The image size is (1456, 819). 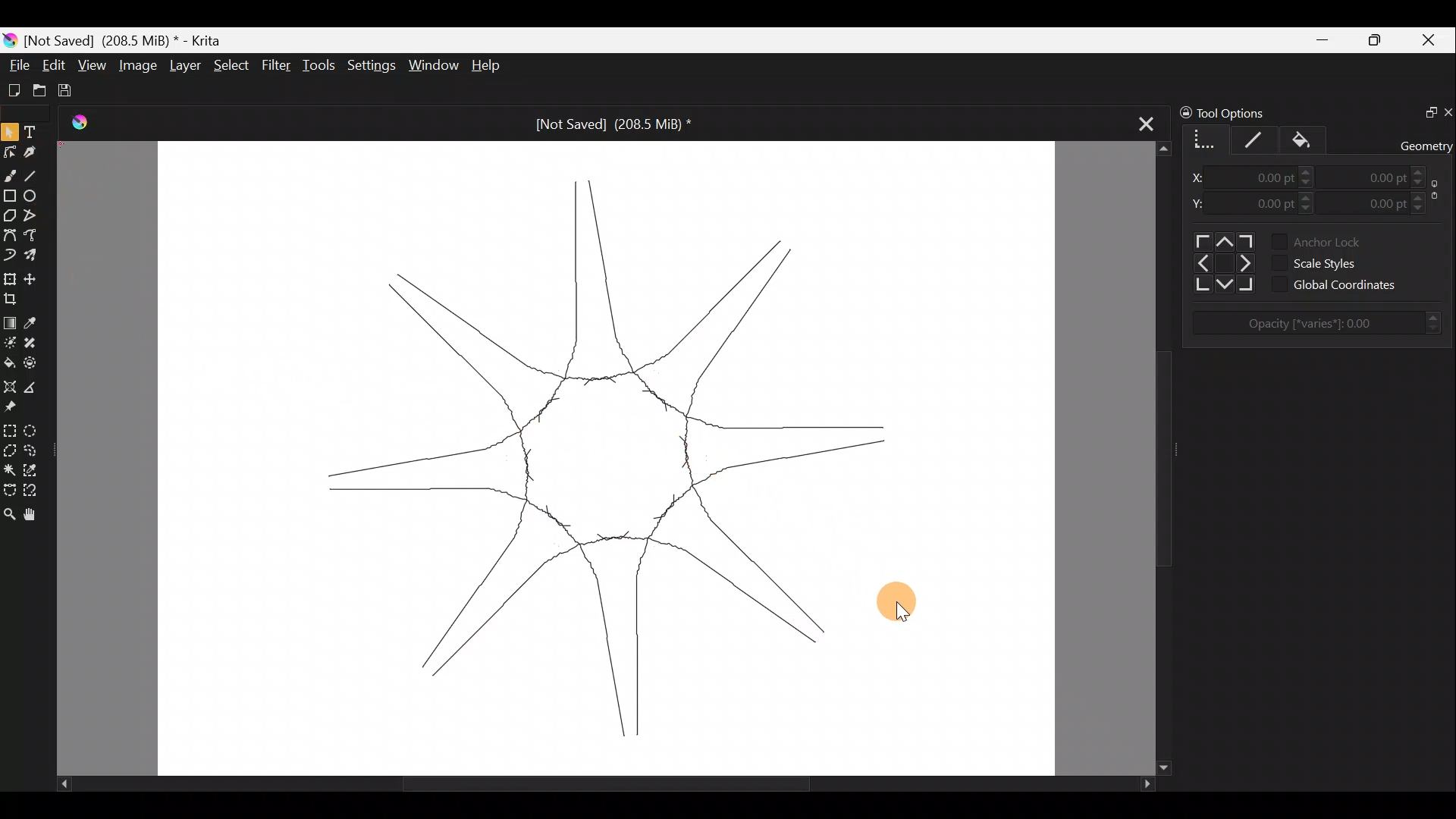 I want to click on Close tab, so click(x=1147, y=119).